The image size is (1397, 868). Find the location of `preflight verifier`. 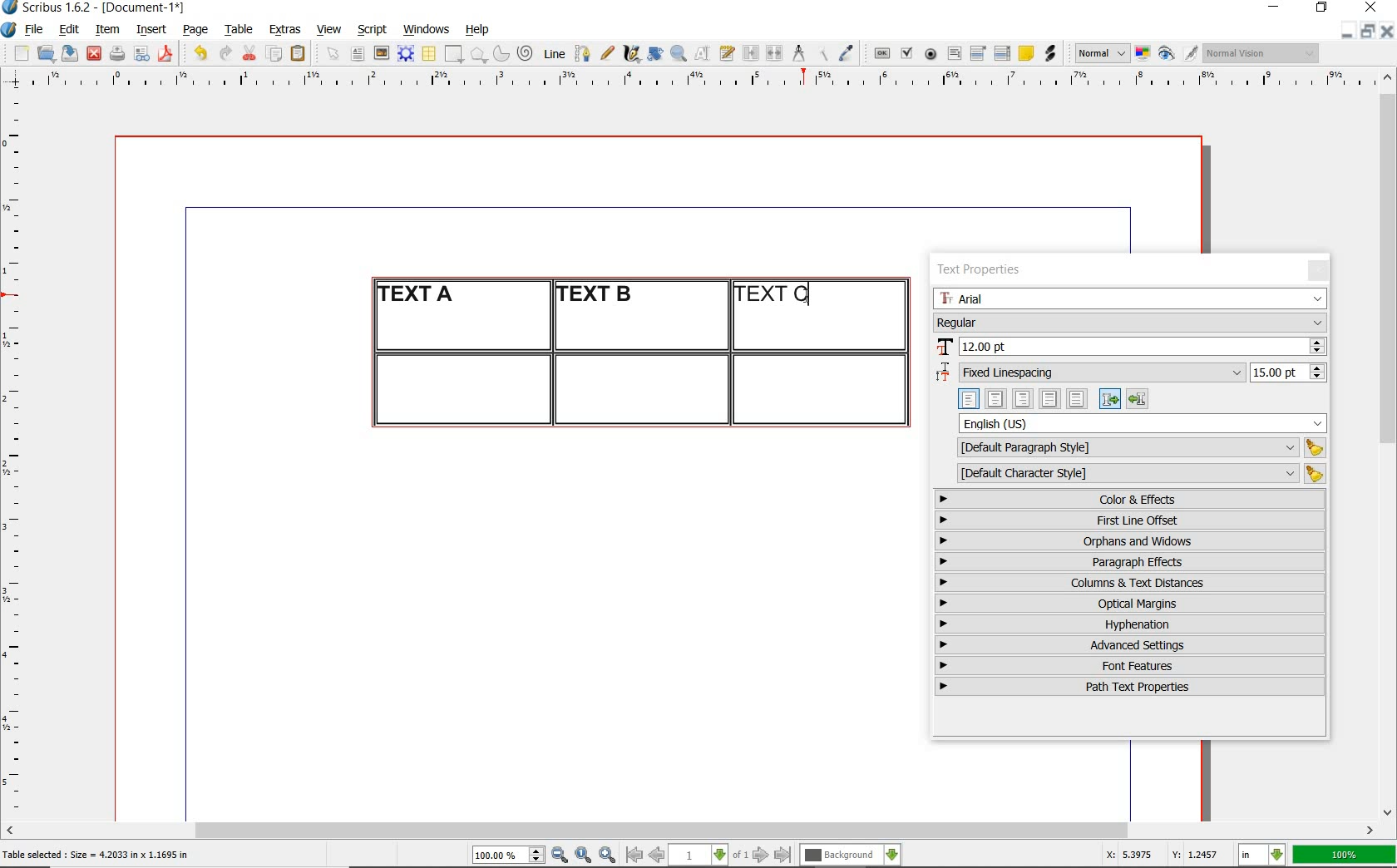

preflight verifier is located at coordinates (142, 55).